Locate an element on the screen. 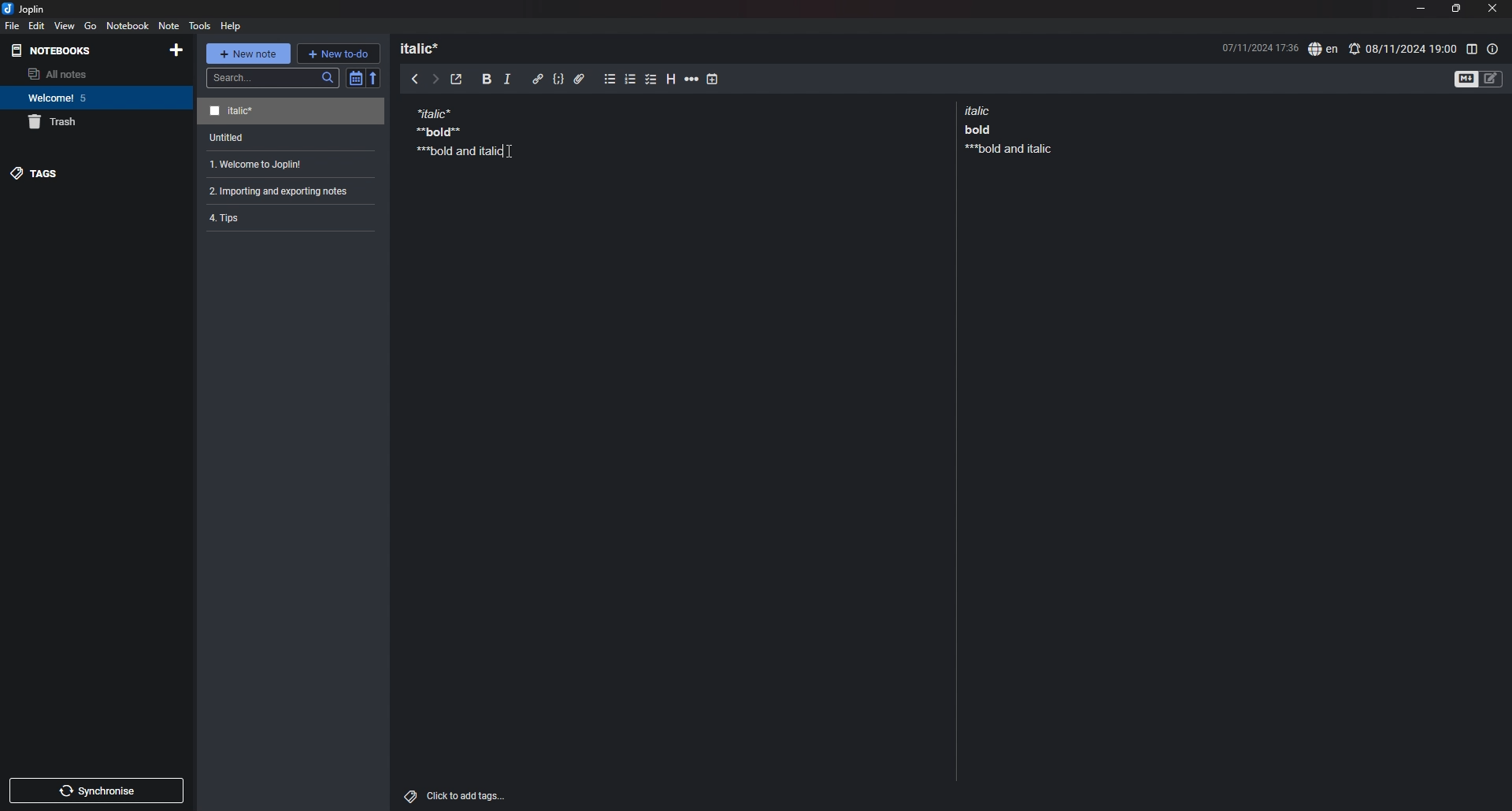  new note is located at coordinates (247, 54).